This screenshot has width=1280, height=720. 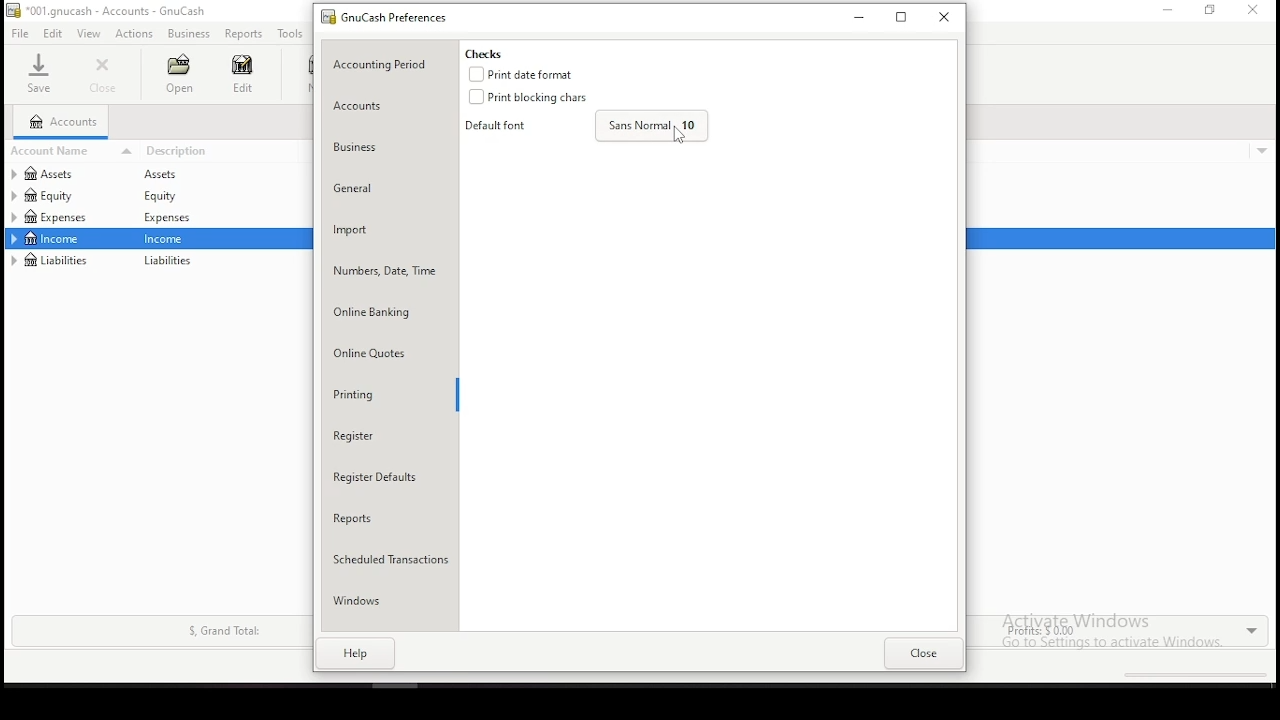 I want to click on liabilities, so click(x=168, y=262).